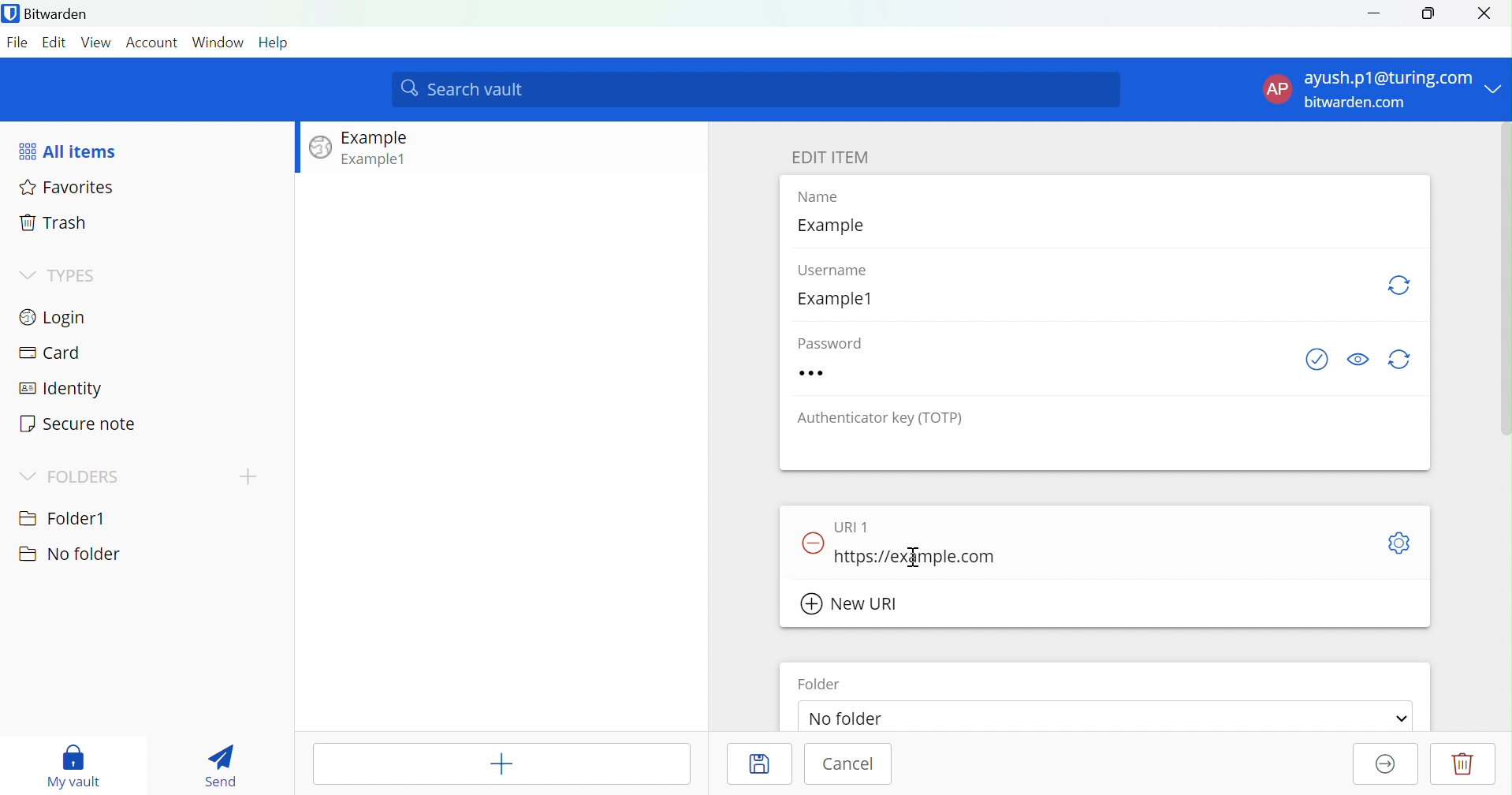 This screenshot has width=1512, height=795. Describe the element at coordinates (838, 342) in the screenshot. I see `Password` at that location.